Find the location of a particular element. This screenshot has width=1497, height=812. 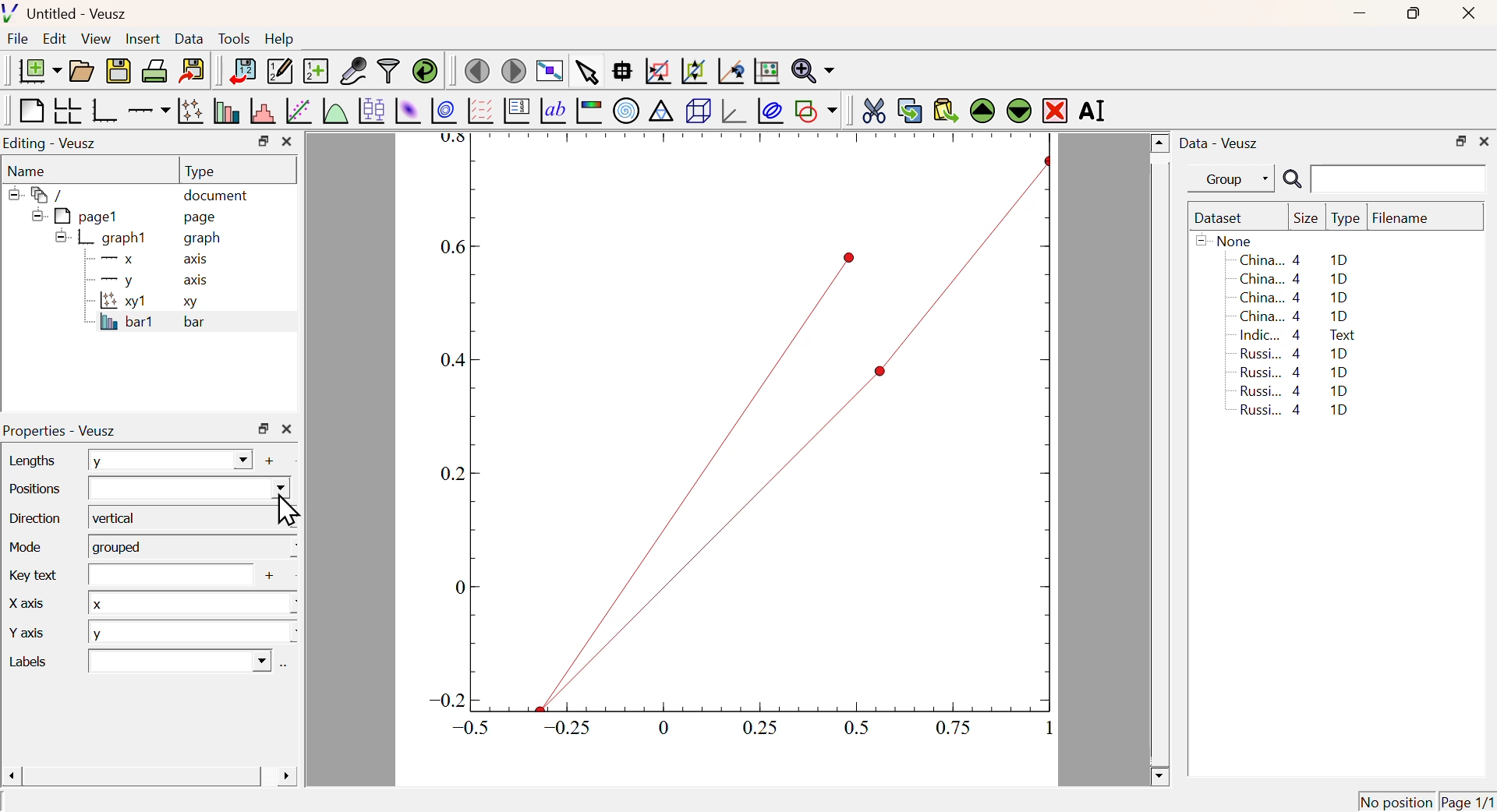

Indic... 4 Text is located at coordinates (1297, 335).